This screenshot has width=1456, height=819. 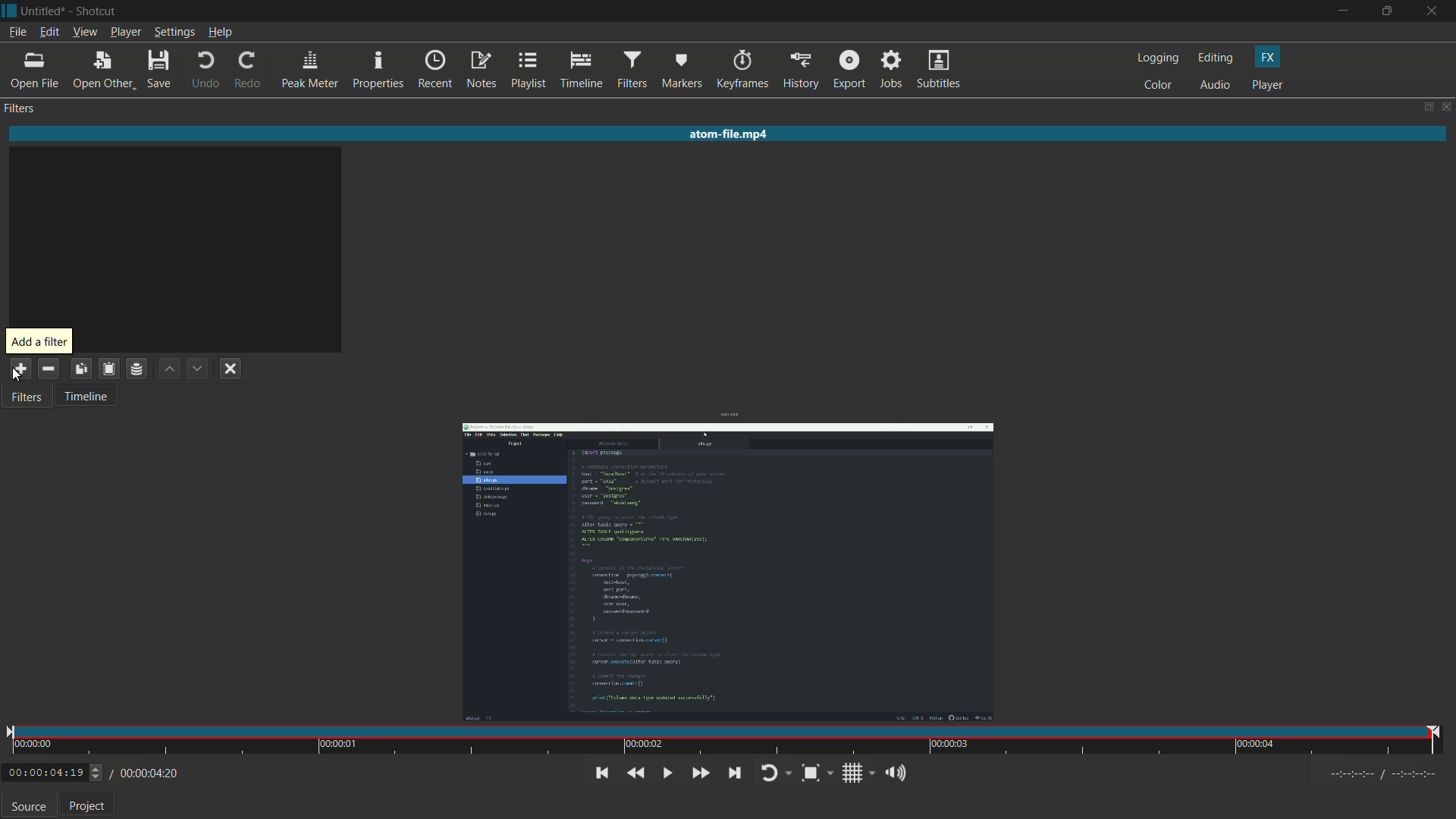 I want to click on timeline, so click(x=85, y=398).